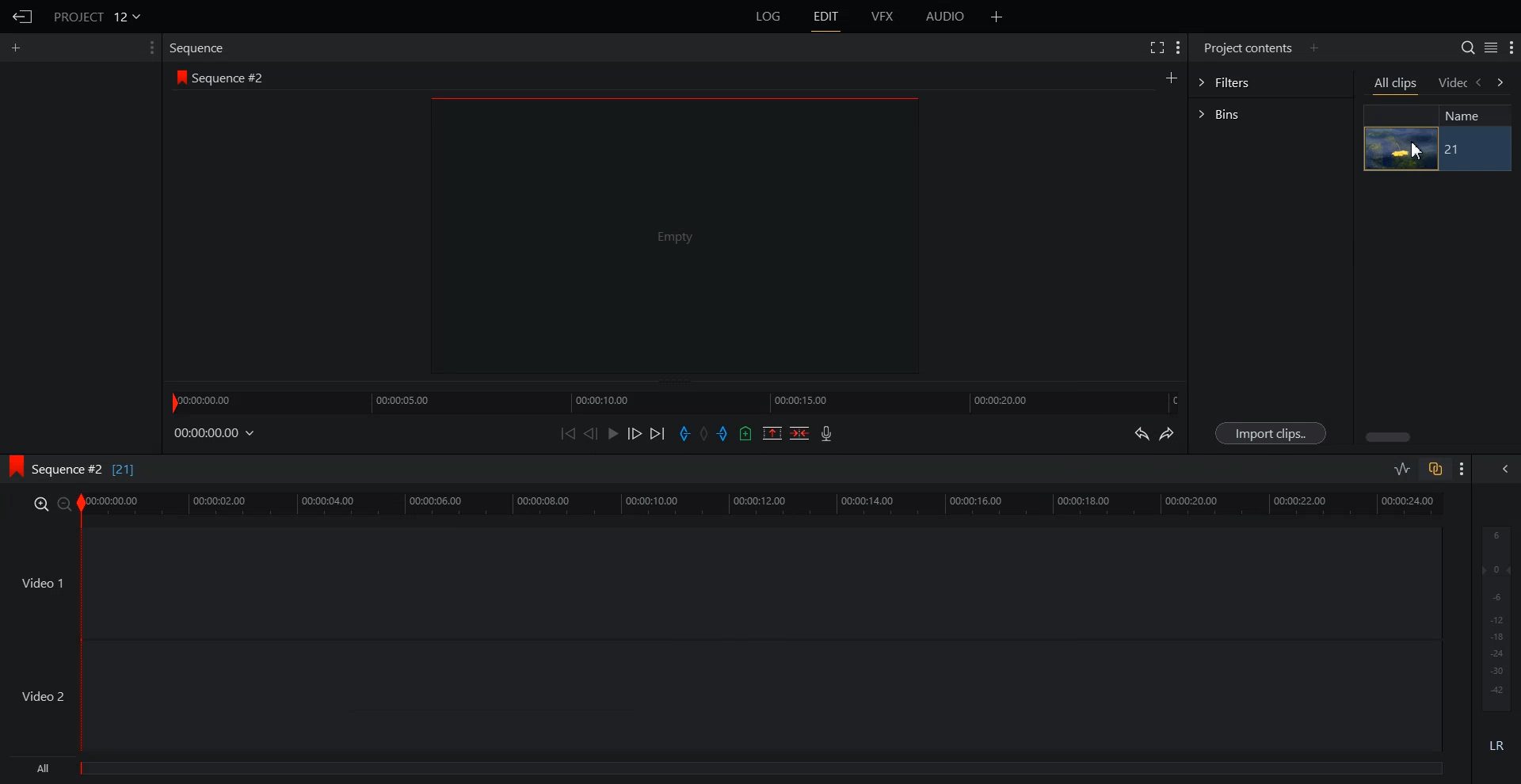 This screenshot has height=784, width=1521. What do you see at coordinates (147, 48) in the screenshot?
I see `Show Setting Menu` at bounding box center [147, 48].